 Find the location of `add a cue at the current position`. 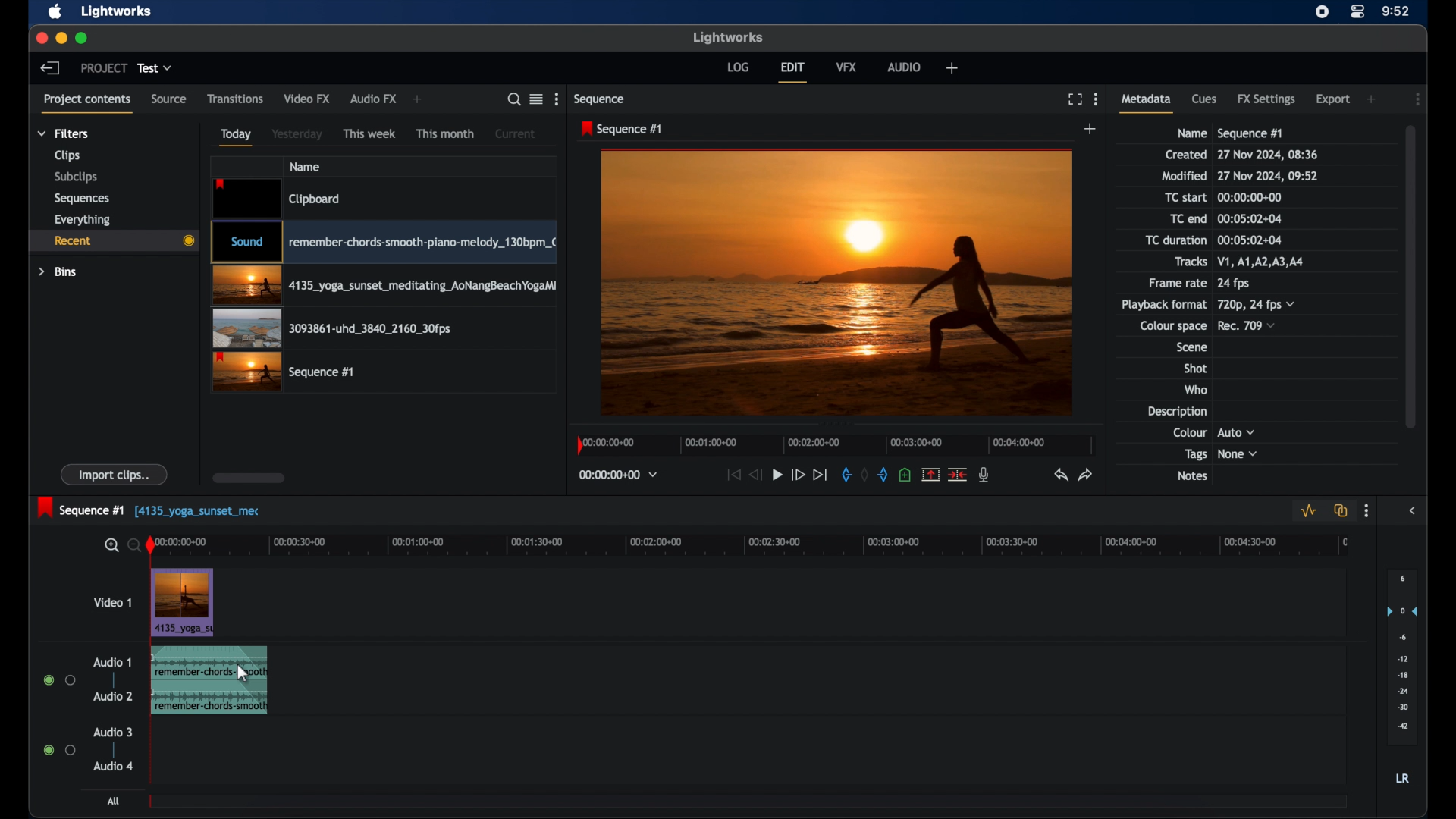

add a cue at the current position is located at coordinates (905, 475).